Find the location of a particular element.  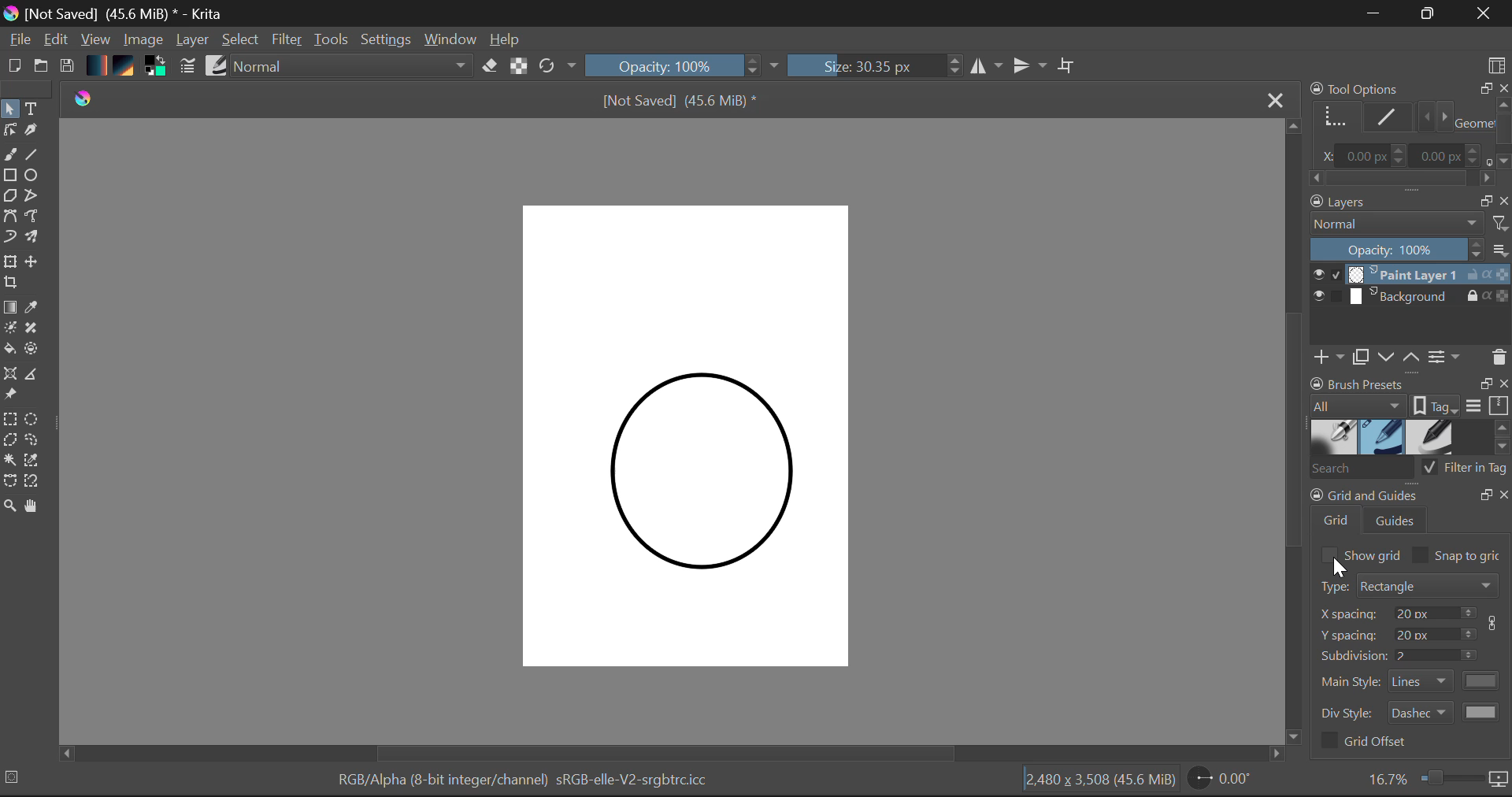

logo is located at coordinates (87, 101).